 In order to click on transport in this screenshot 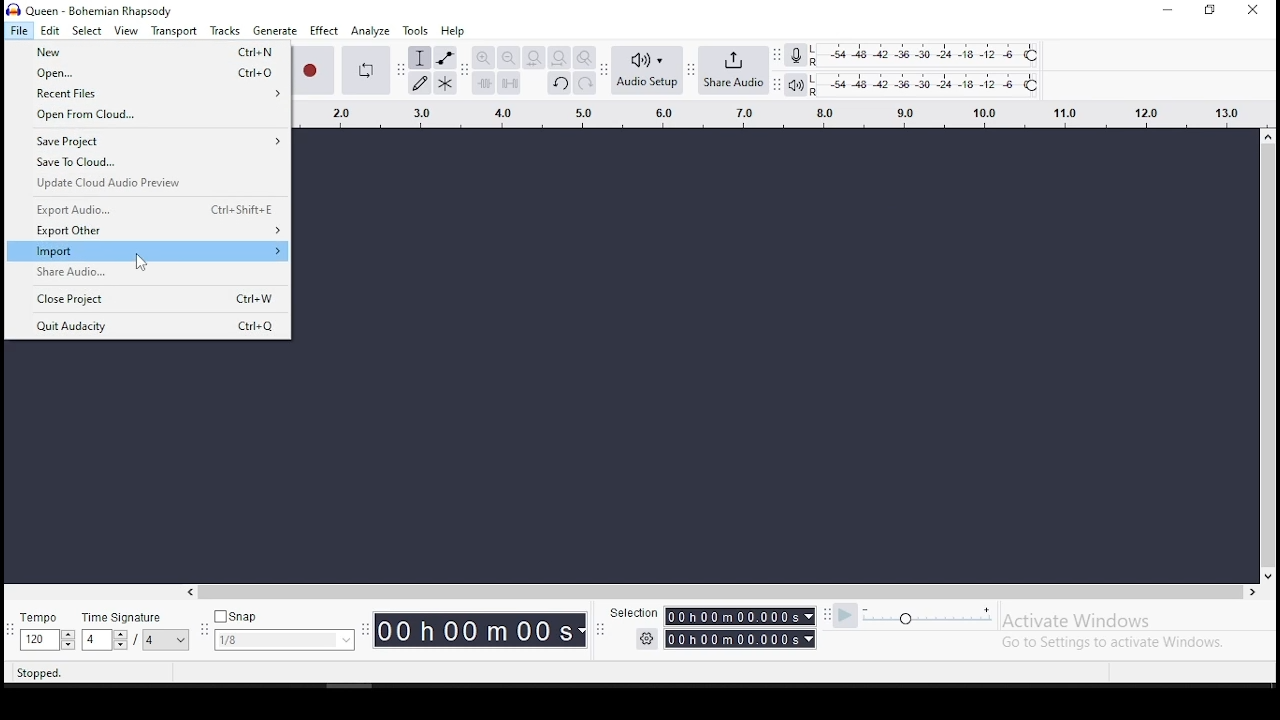, I will do `click(173, 30)`.